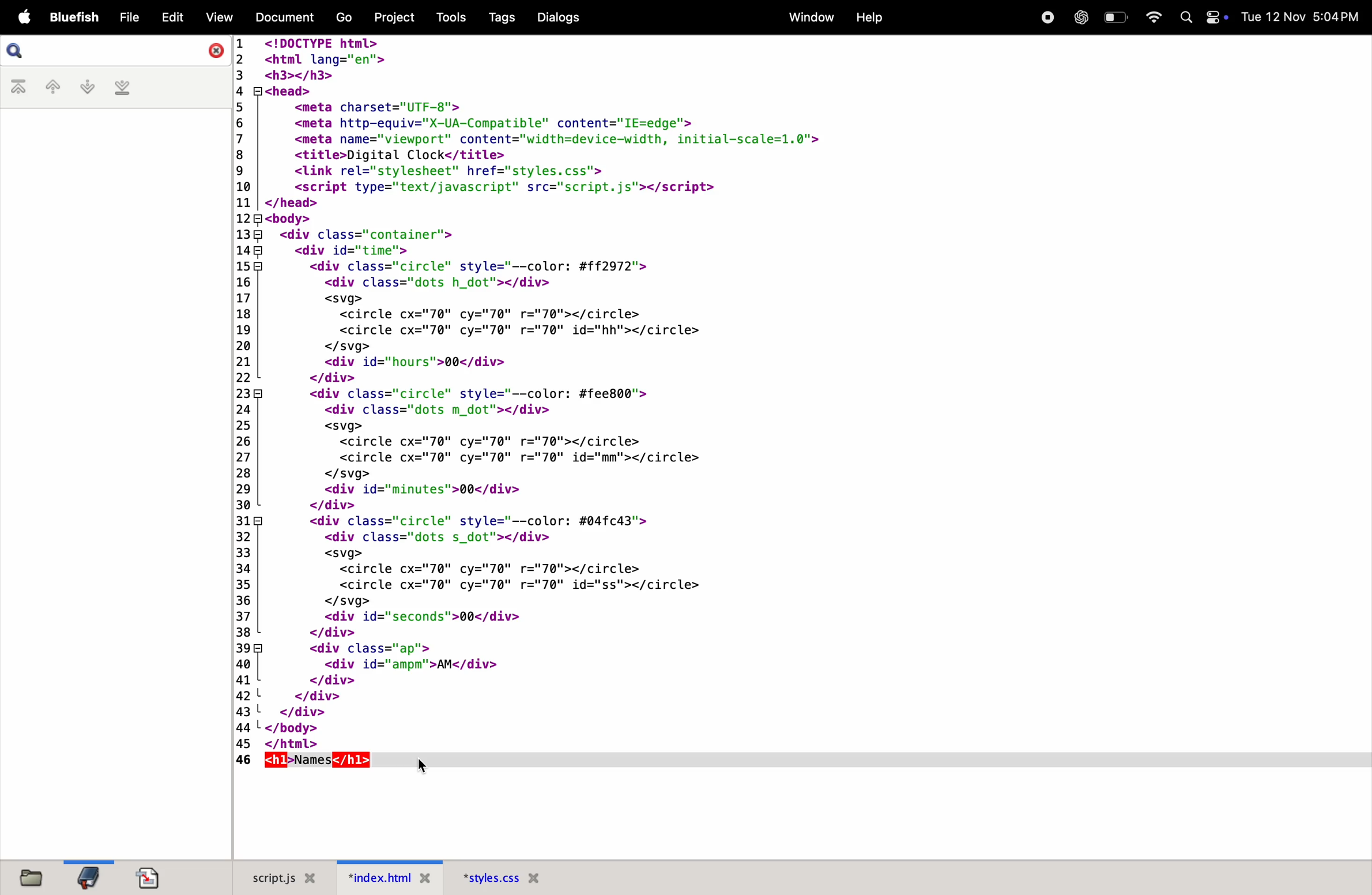 The image size is (1372, 895). What do you see at coordinates (393, 18) in the screenshot?
I see `project` at bounding box center [393, 18].